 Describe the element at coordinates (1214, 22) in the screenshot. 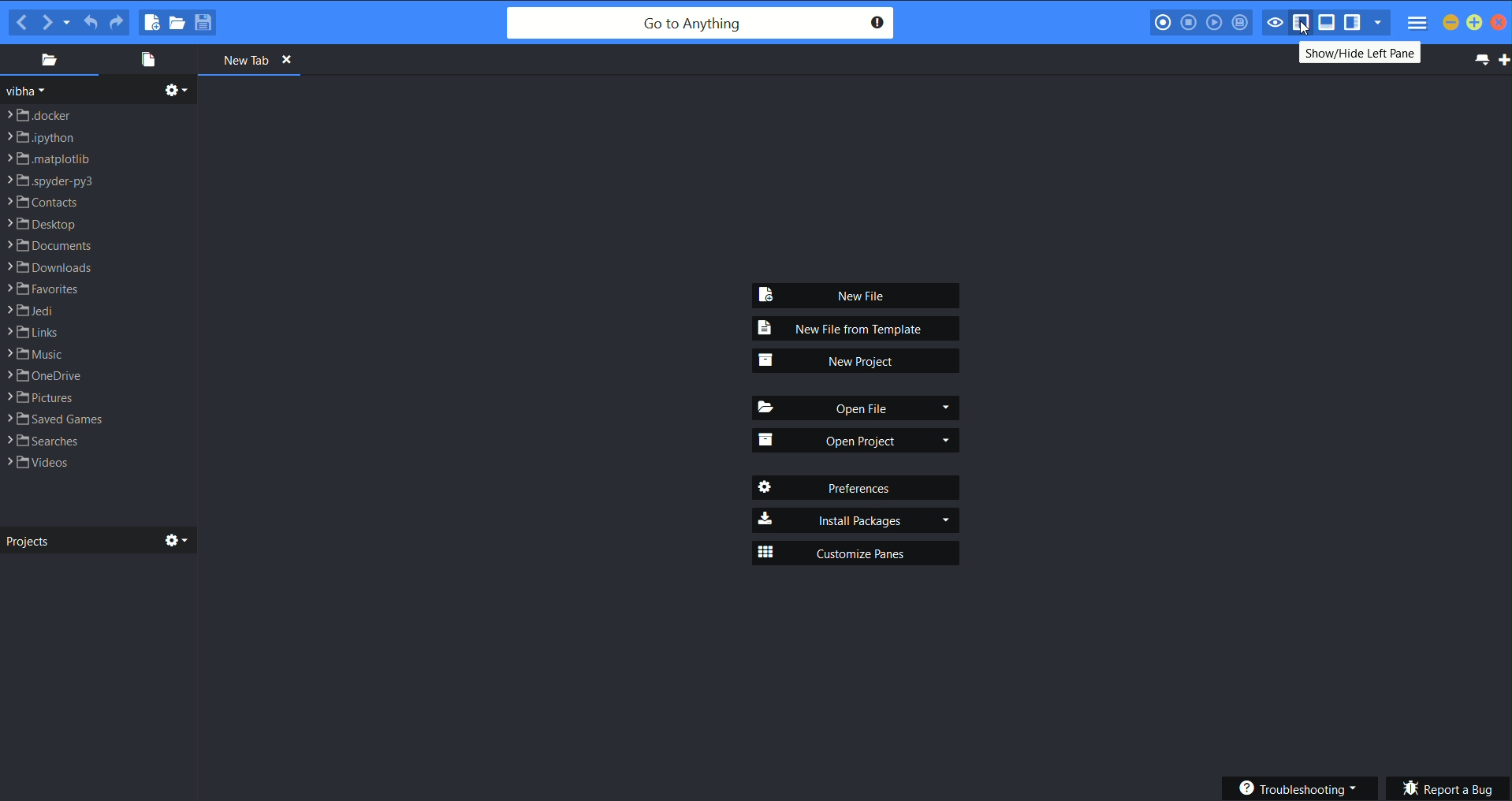

I see `play last macro` at that location.